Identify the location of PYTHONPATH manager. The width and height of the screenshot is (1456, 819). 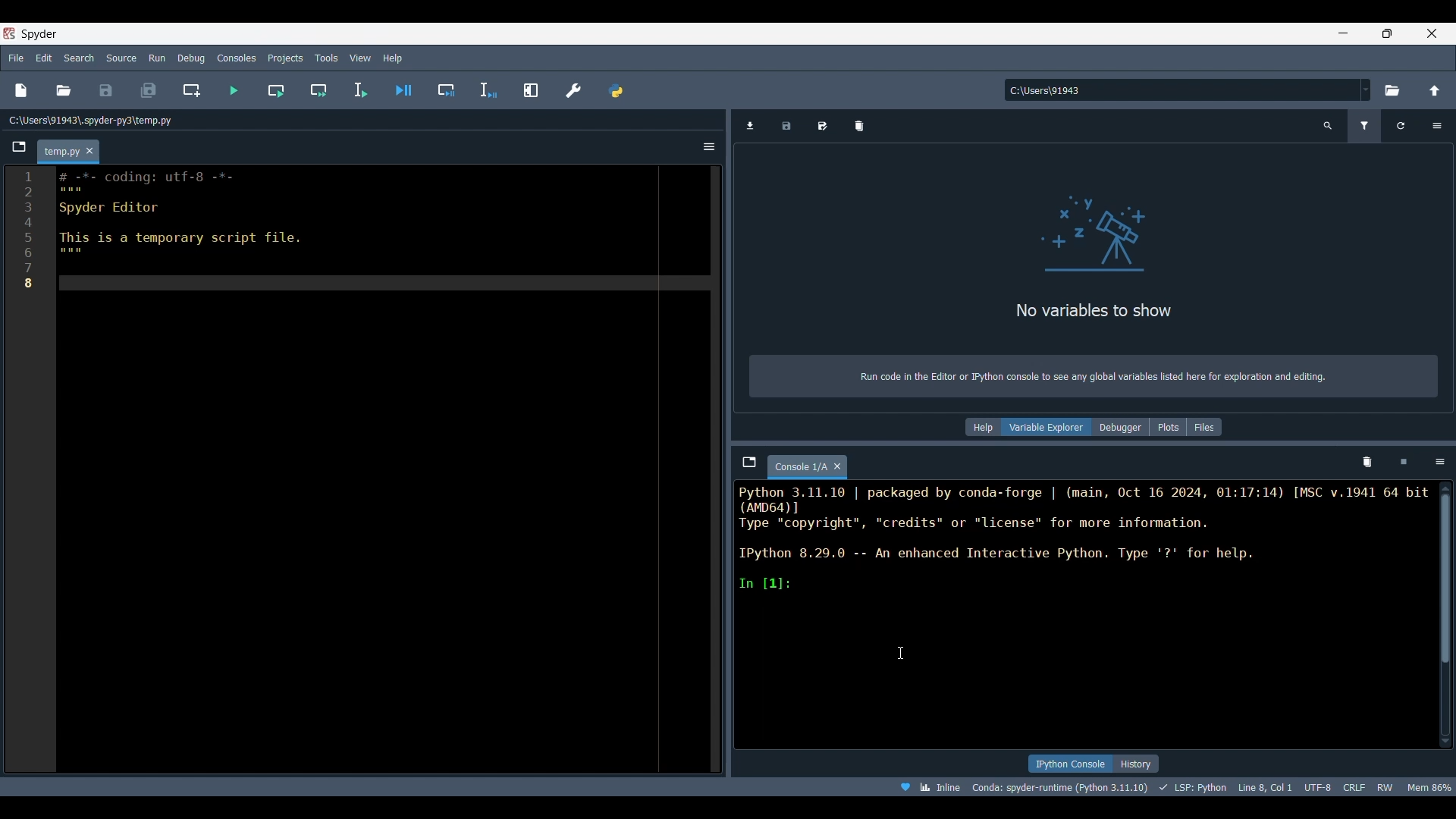
(615, 90).